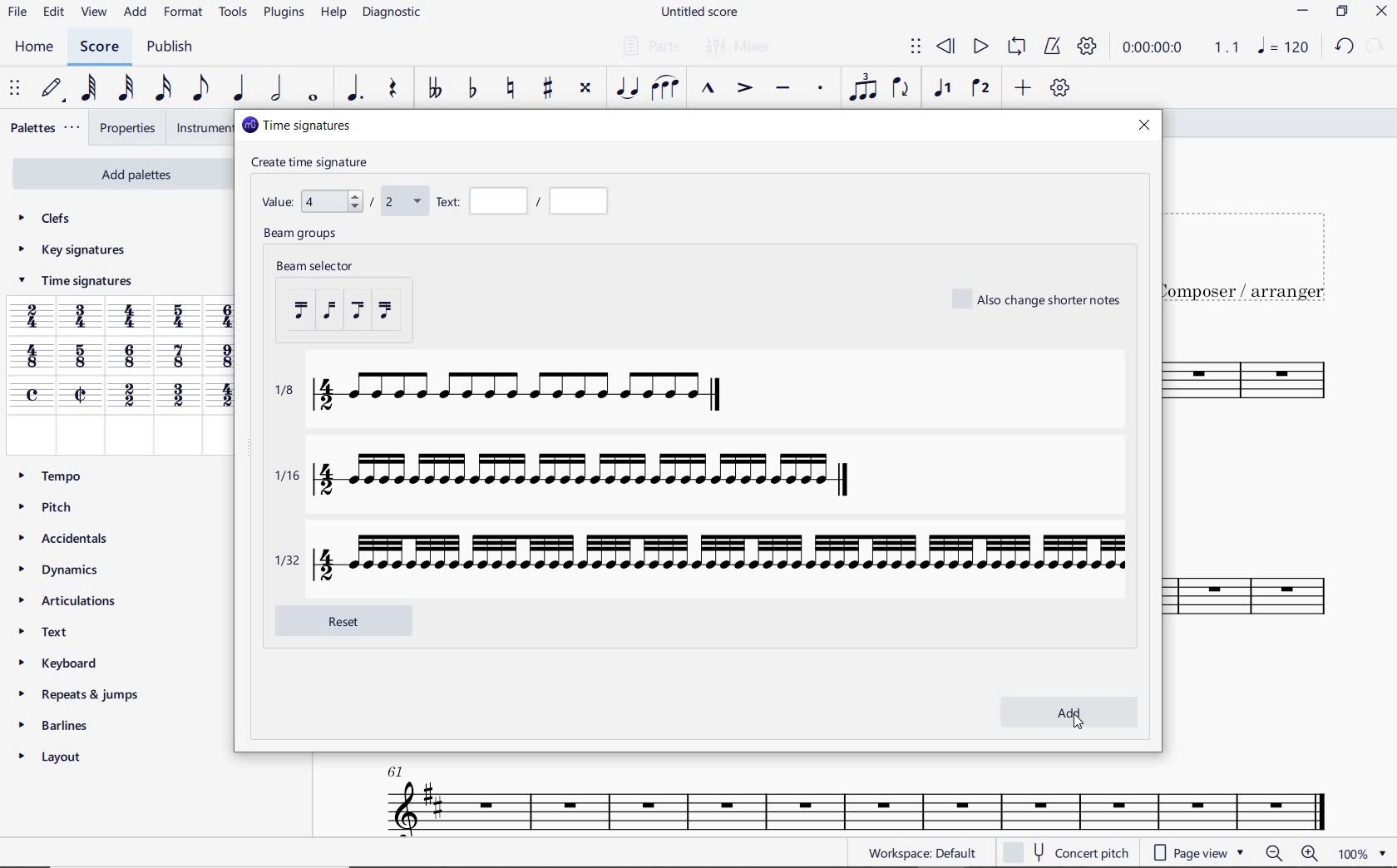  Describe the element at coordinates (1381, 12) in the screenshot. I see `CLOSE` at that location.